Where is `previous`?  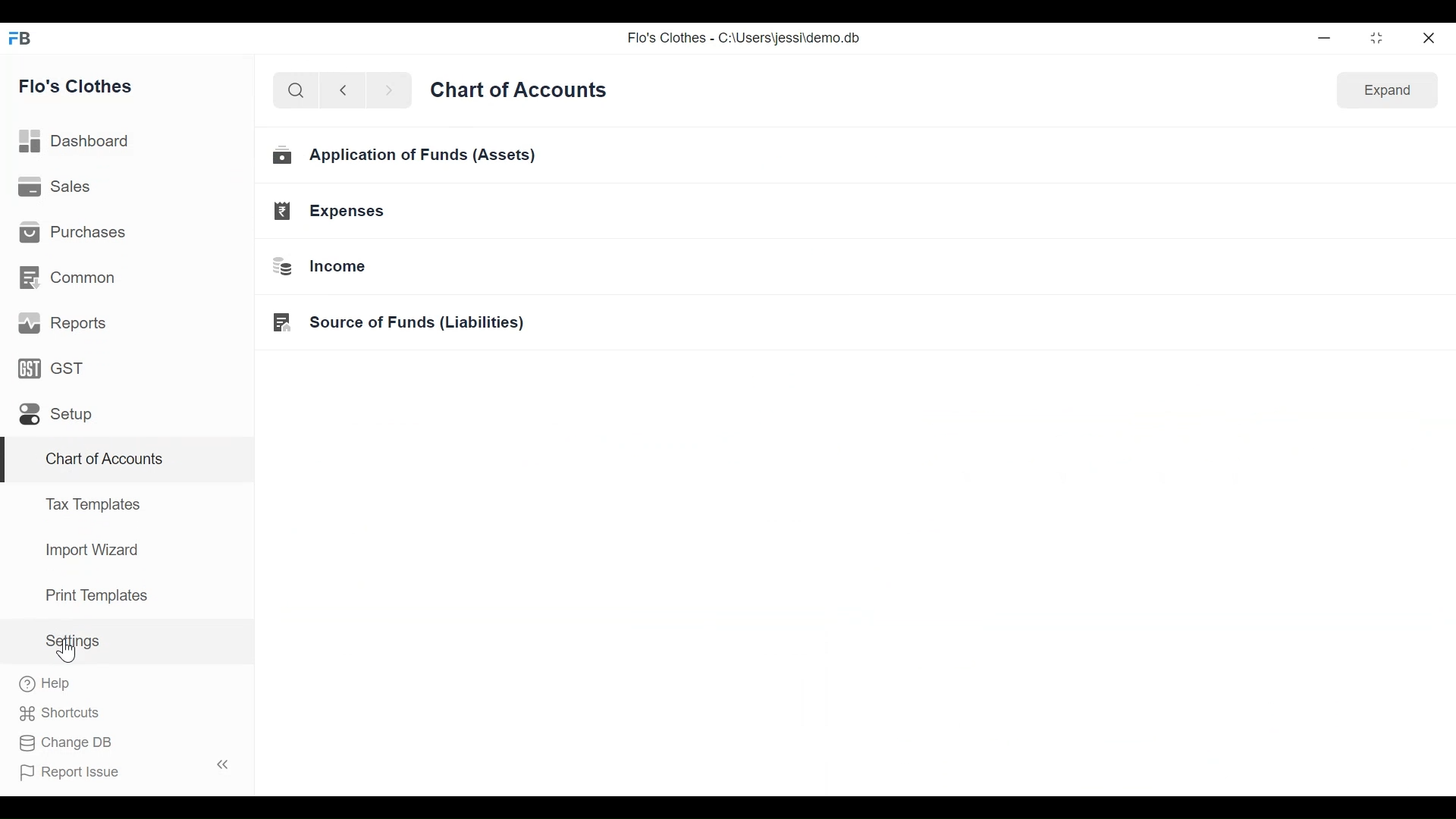 previous is located at coordinates (343, 90).